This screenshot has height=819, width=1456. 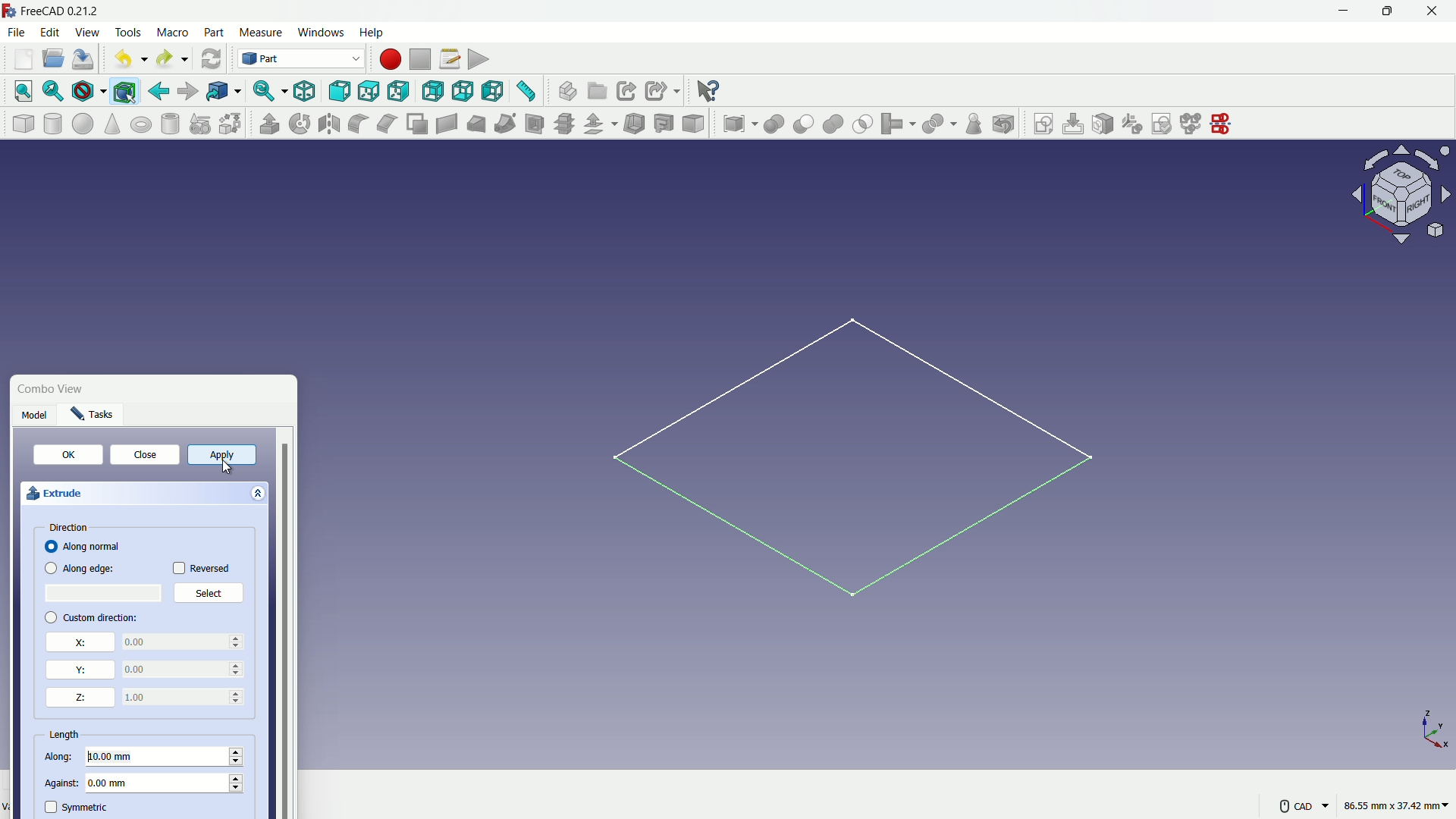 I want to click on x direction, so click(x=80, y=642).